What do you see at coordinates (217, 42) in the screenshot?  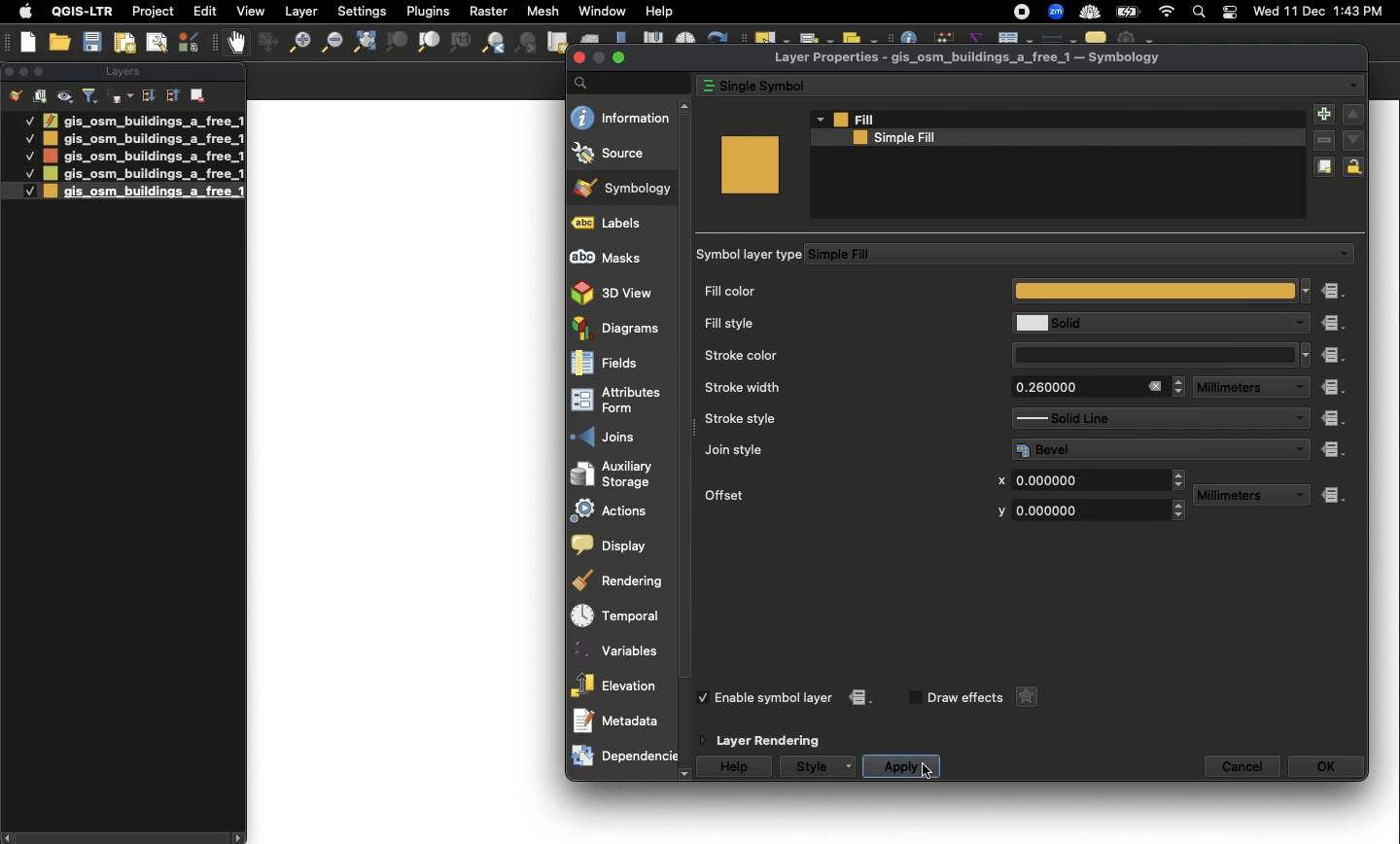 I see `` at bounding box center [217, 42].